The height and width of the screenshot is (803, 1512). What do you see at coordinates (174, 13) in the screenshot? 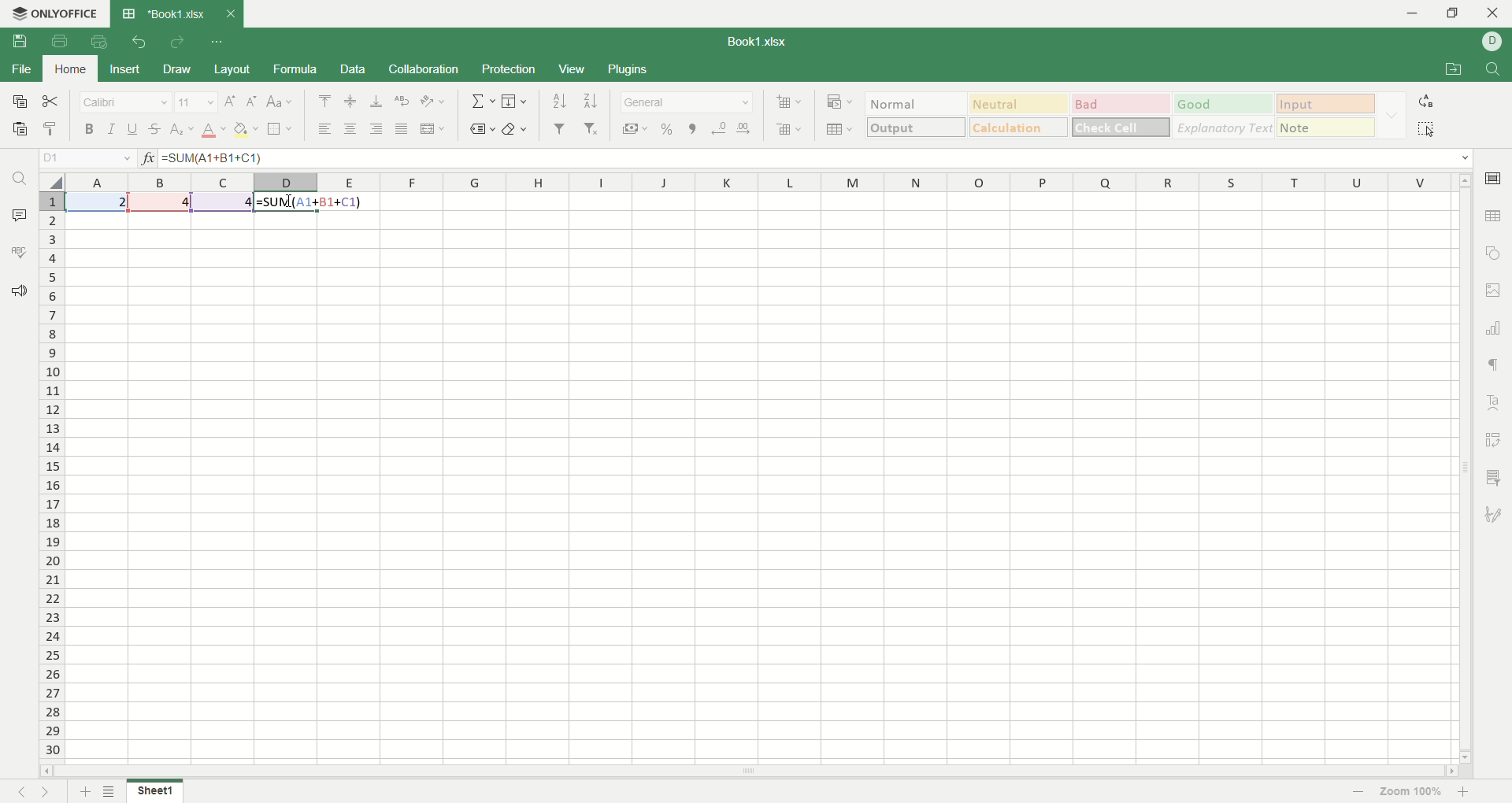
I see `title` at bounding box center [174, 13].